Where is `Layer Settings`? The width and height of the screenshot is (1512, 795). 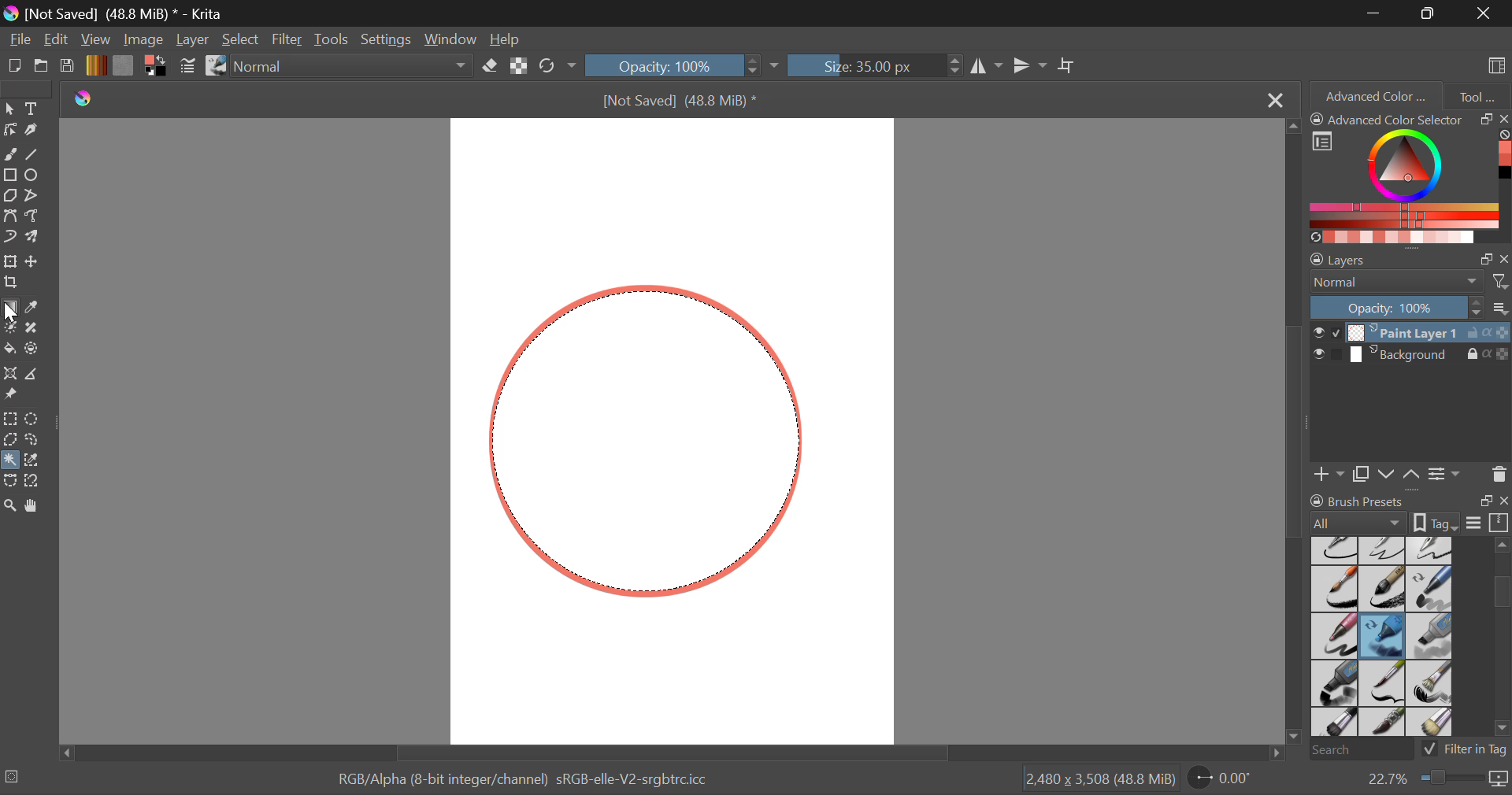
Layer Settings is located at coordinates (1410, 256).